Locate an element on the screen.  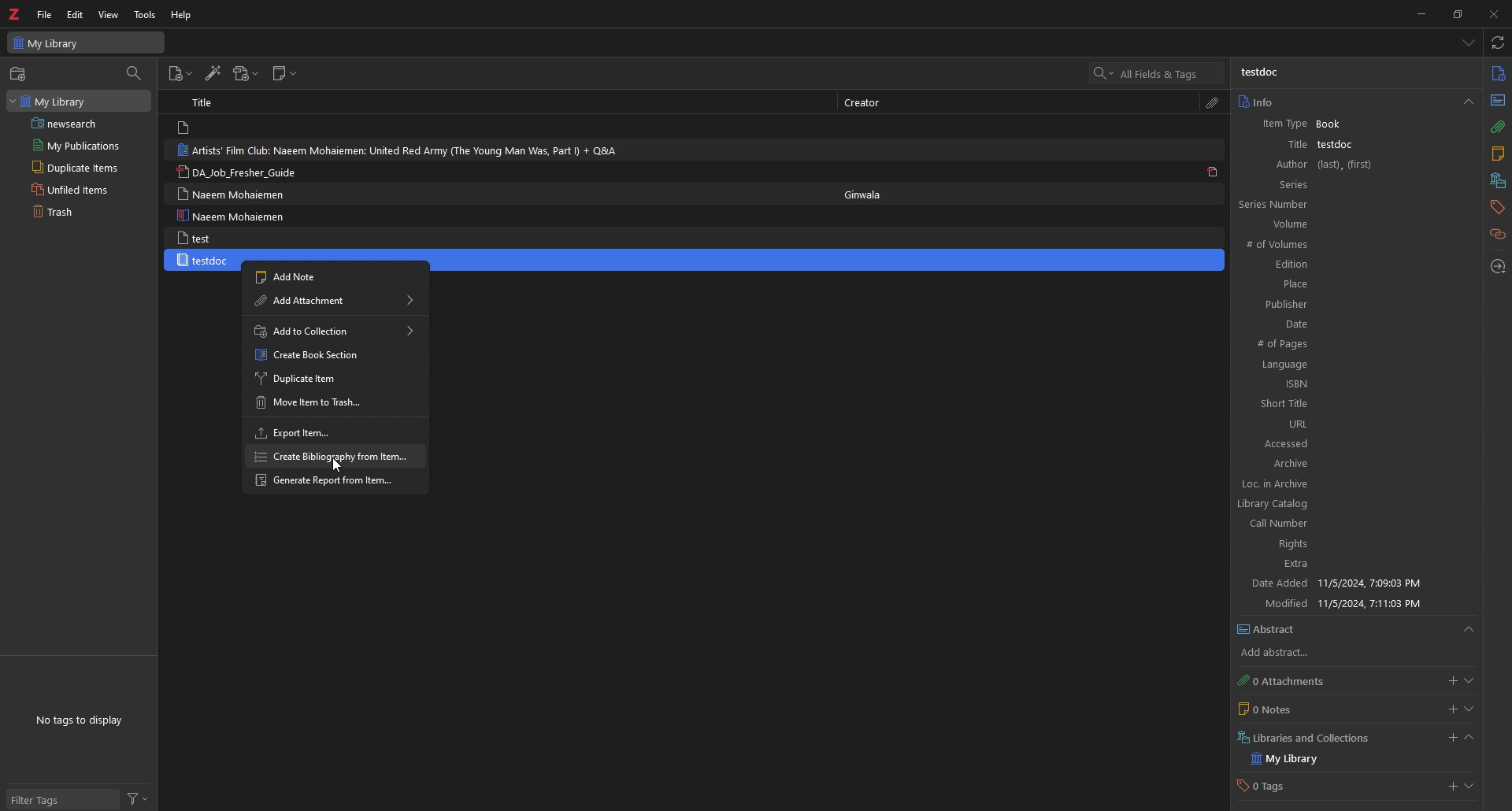
duplicate items is located at coordinates (72, 167).